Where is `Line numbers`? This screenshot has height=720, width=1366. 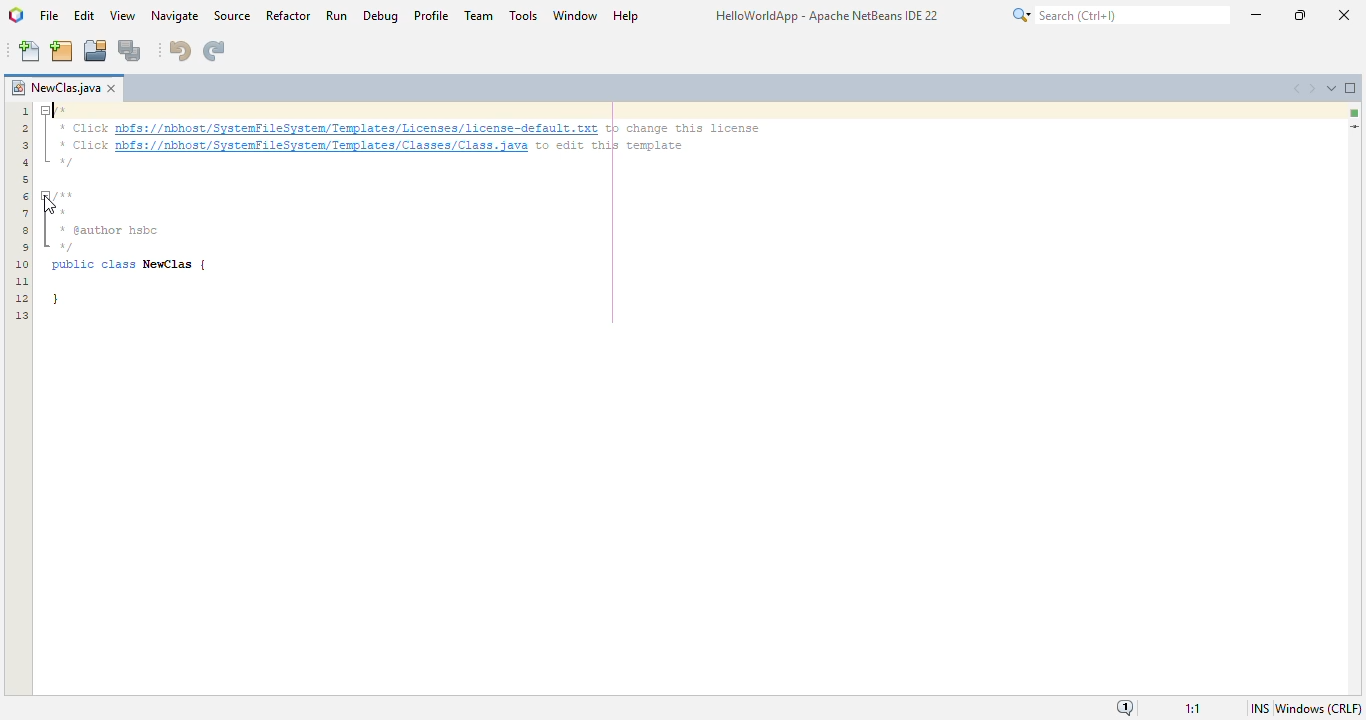 Line numbers is located at coordinates (20, 214).